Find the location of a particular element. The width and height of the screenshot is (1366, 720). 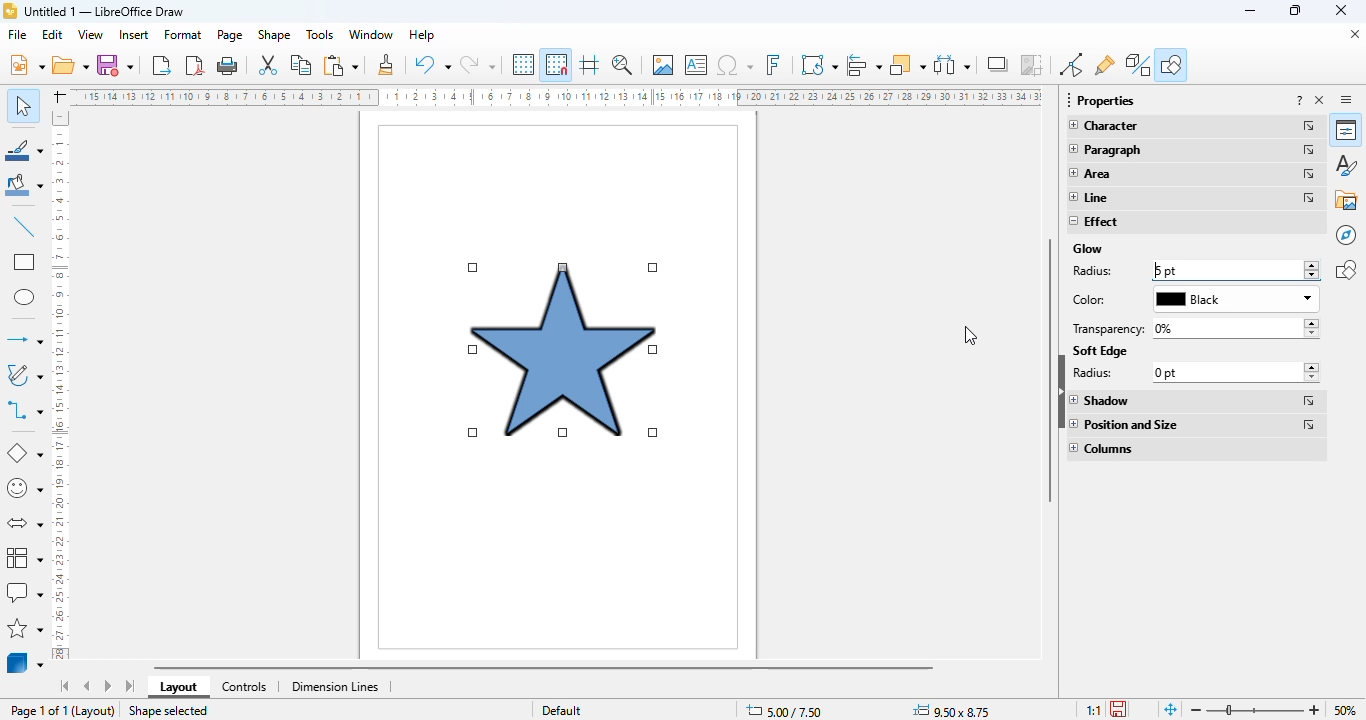

close is located at coordinates (1342, 11).